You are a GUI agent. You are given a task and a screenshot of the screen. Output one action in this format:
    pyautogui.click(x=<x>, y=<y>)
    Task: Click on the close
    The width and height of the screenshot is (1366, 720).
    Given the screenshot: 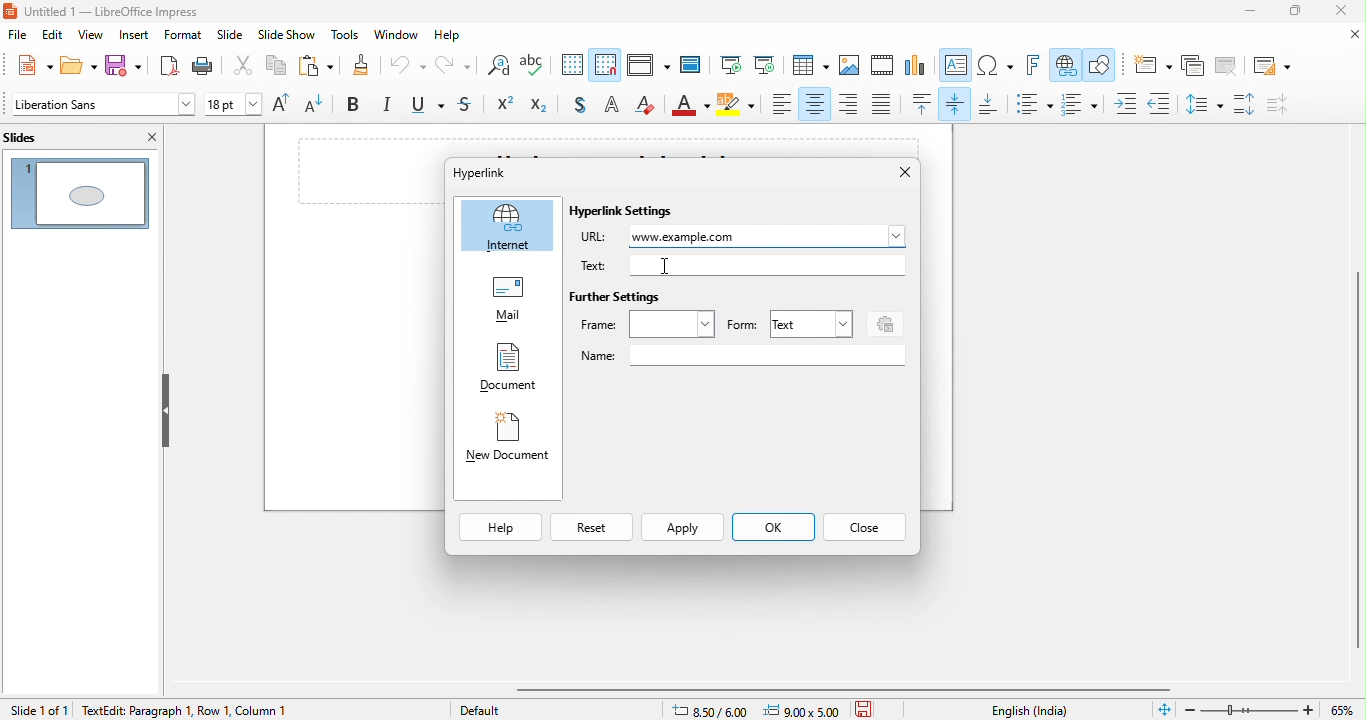 What is the action you would take?
    pyautogui.click(x=1346, y=12)
    